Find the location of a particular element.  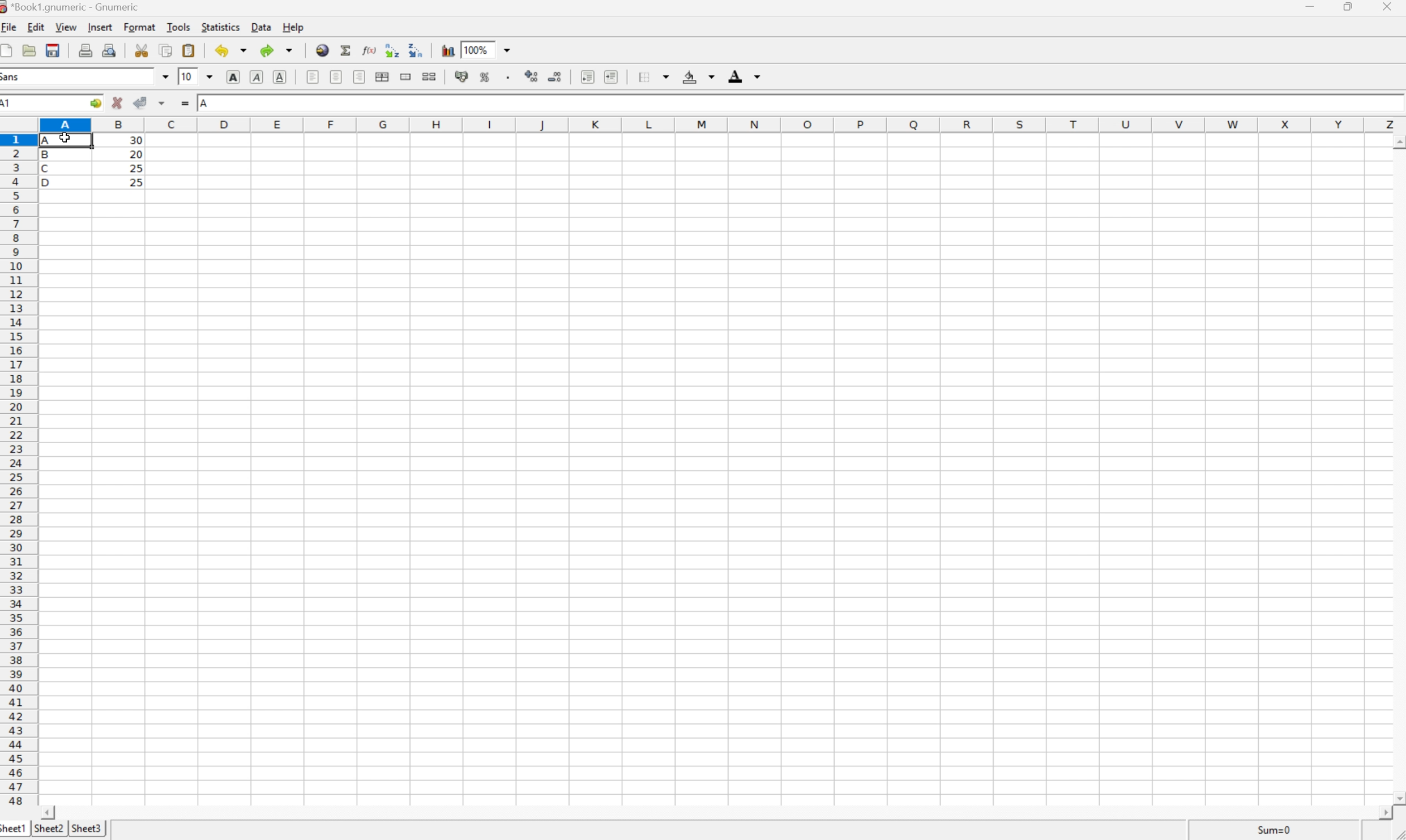

Merge horizontally across the selection is located at coordinates (382, 76).